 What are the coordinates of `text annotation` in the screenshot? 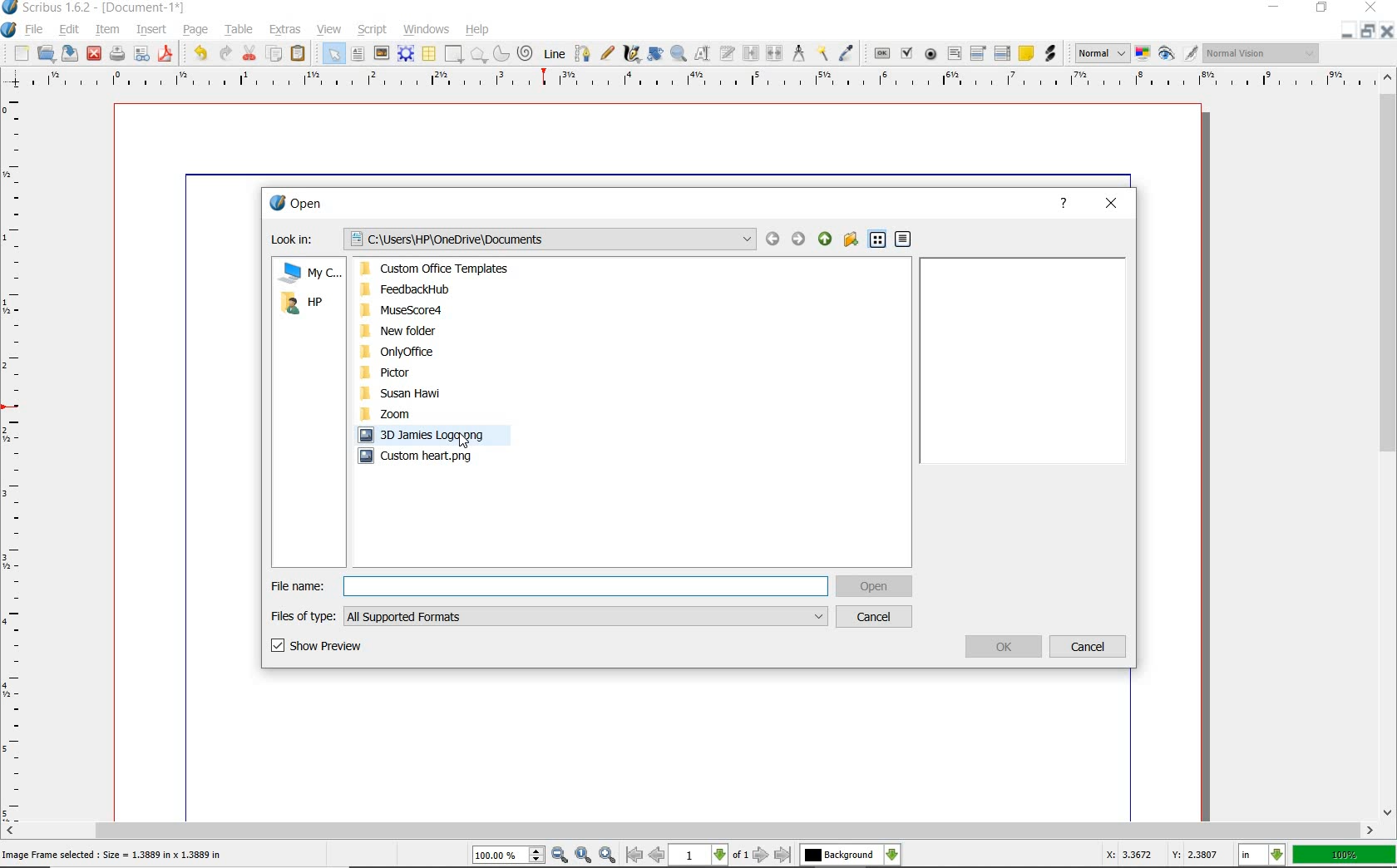 It's located at (1026, 54).